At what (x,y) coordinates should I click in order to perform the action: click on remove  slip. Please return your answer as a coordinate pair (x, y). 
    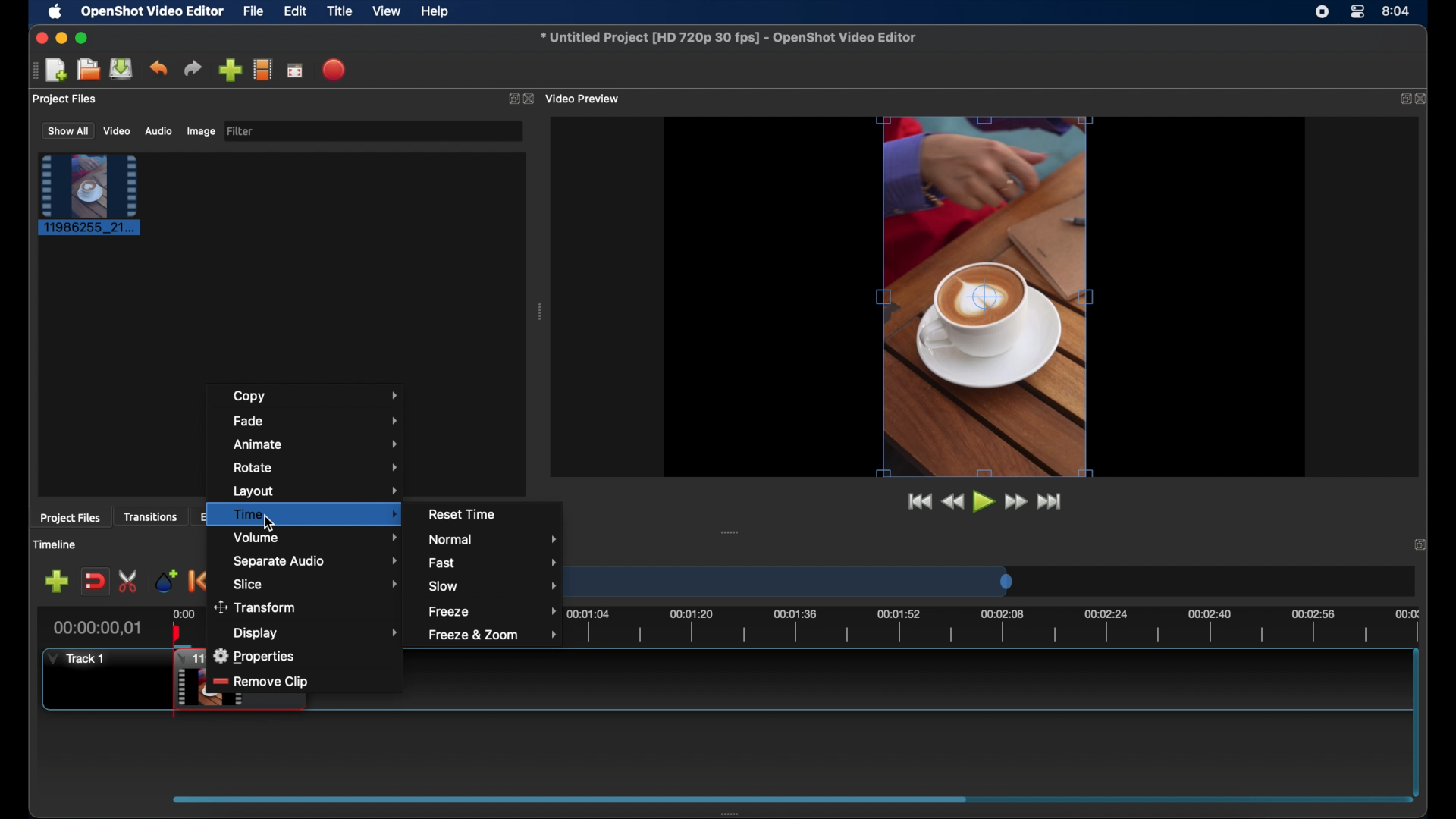
    Looking at the image, I should click on (262, 682).